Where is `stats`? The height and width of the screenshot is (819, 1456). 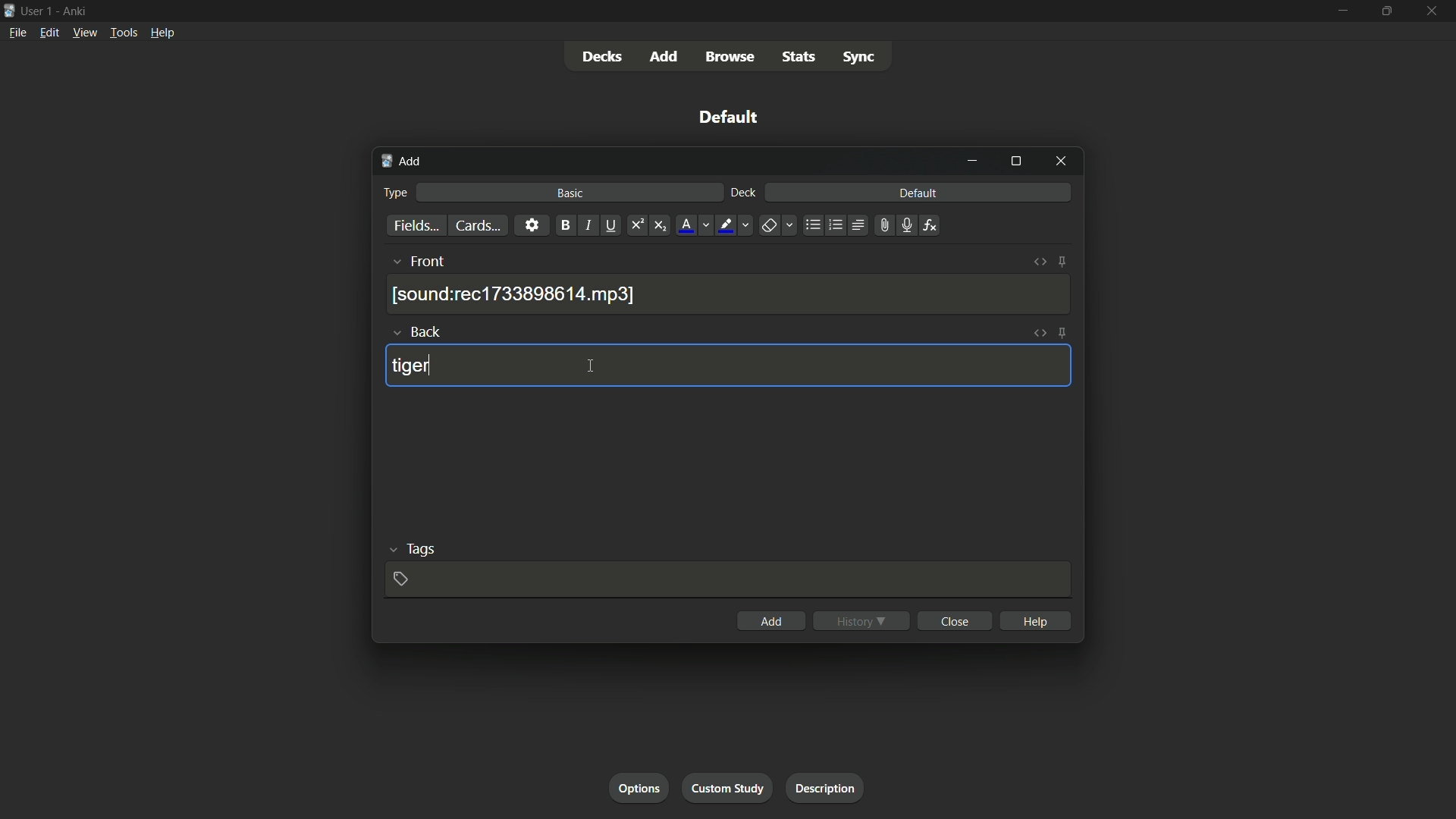
stats is located at coordinates (802, 58).